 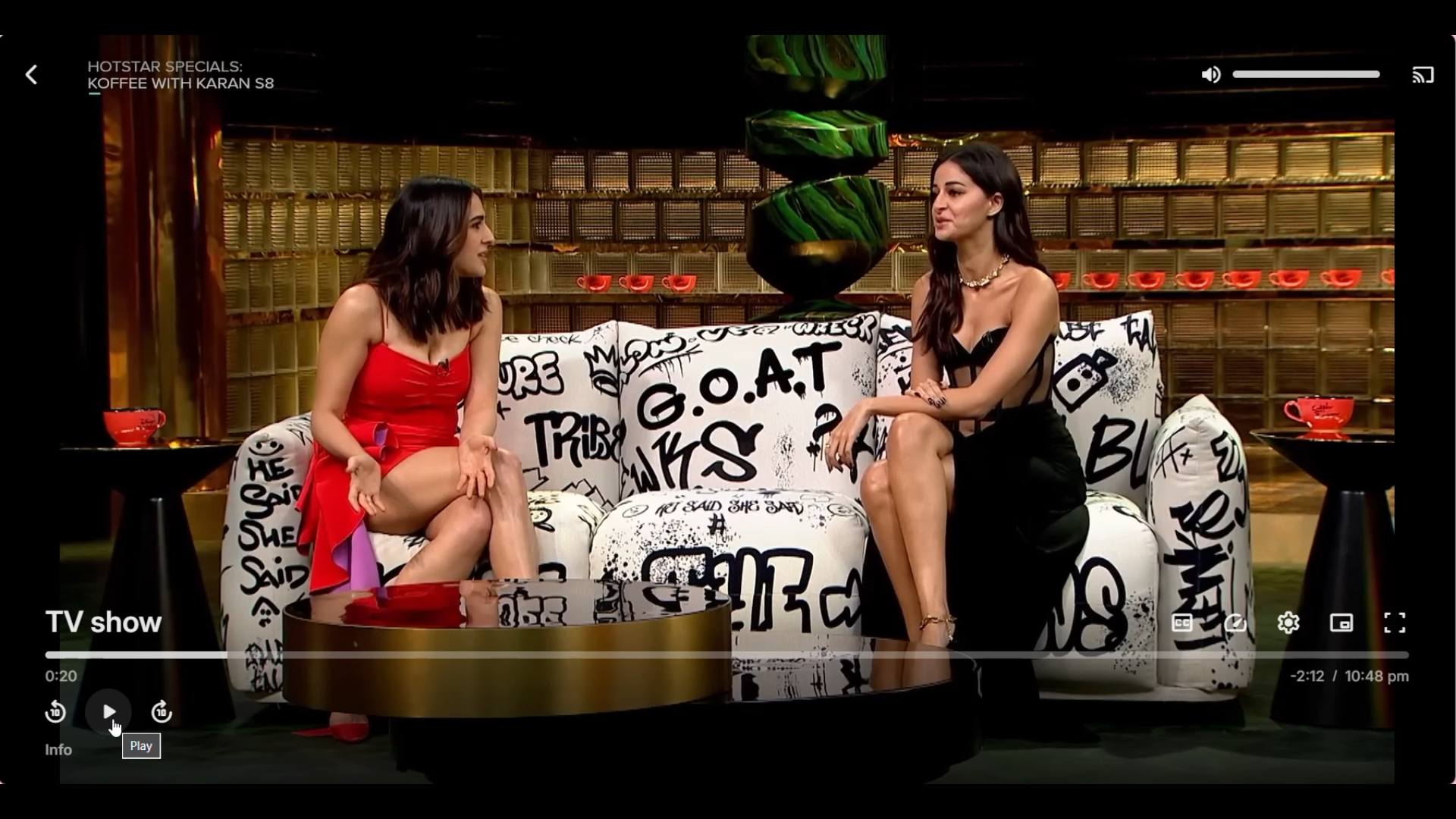 I want to click on Title of current video, so click(x=103, y=620).